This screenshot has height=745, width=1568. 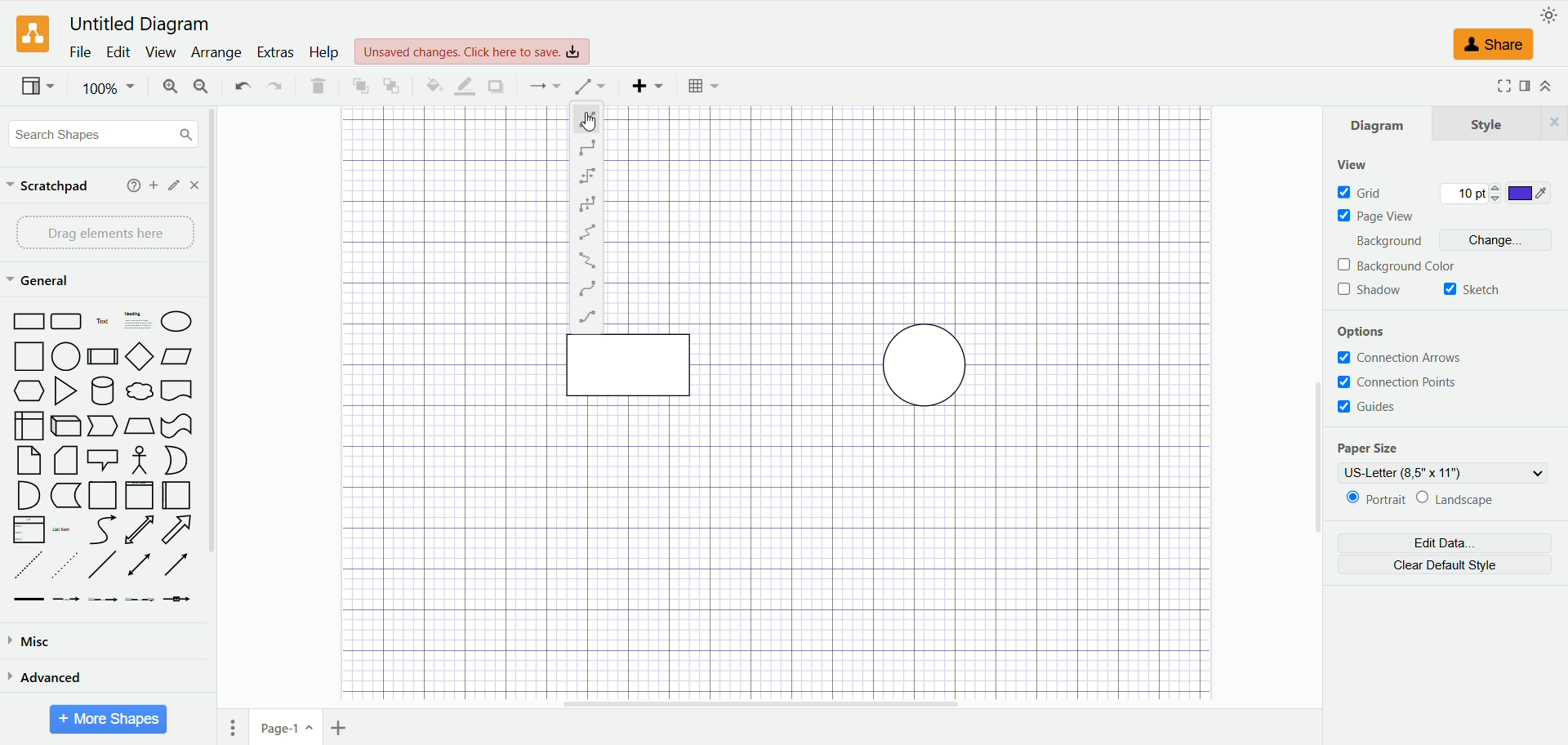 What do you see at coordinates (276, 51) in the screenshot?
I see `extras` at bounding box center [276, 51].